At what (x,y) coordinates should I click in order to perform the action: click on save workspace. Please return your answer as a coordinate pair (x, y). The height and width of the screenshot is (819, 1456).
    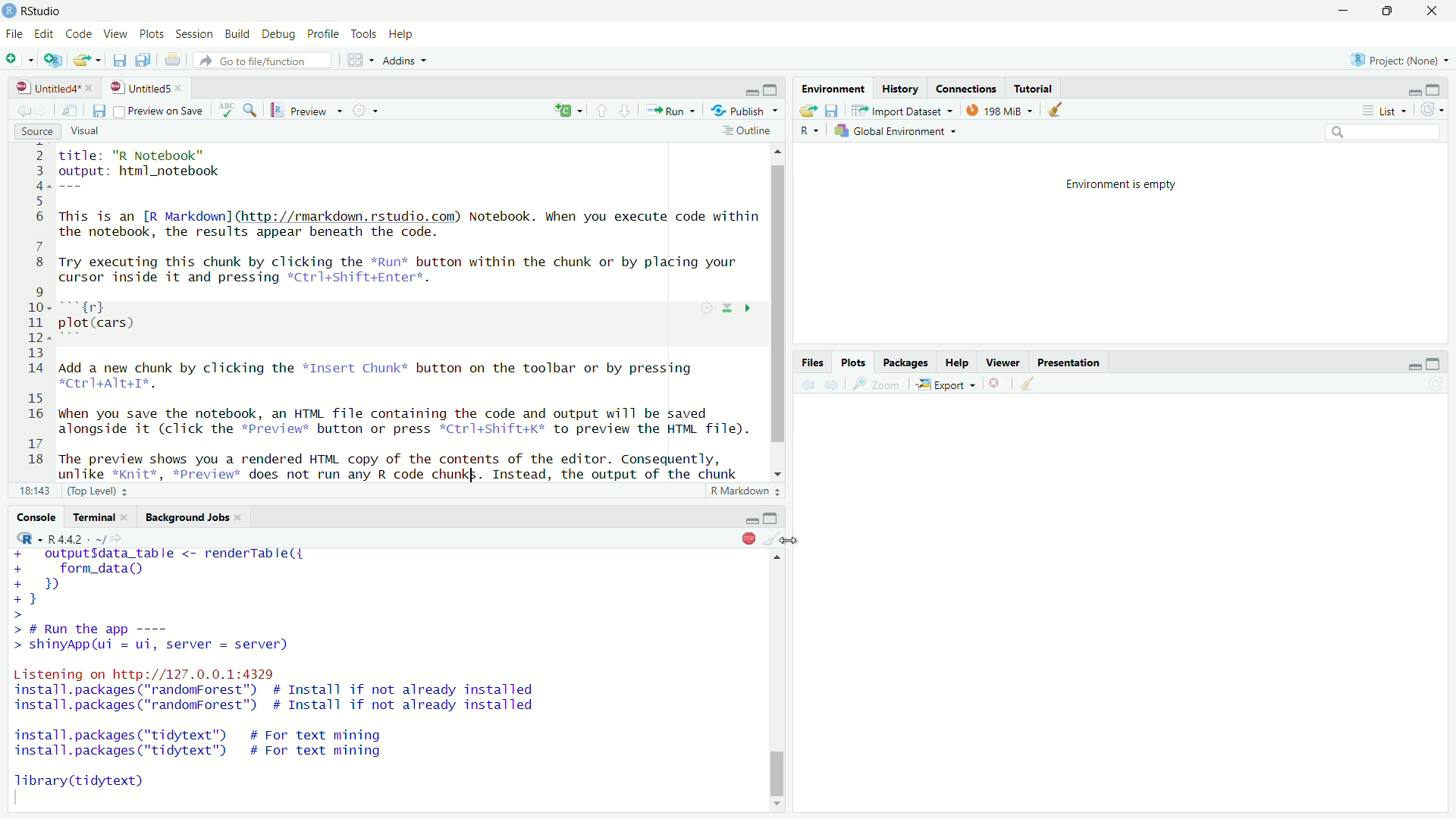
    Looking at the image, I should click on (832, 110).